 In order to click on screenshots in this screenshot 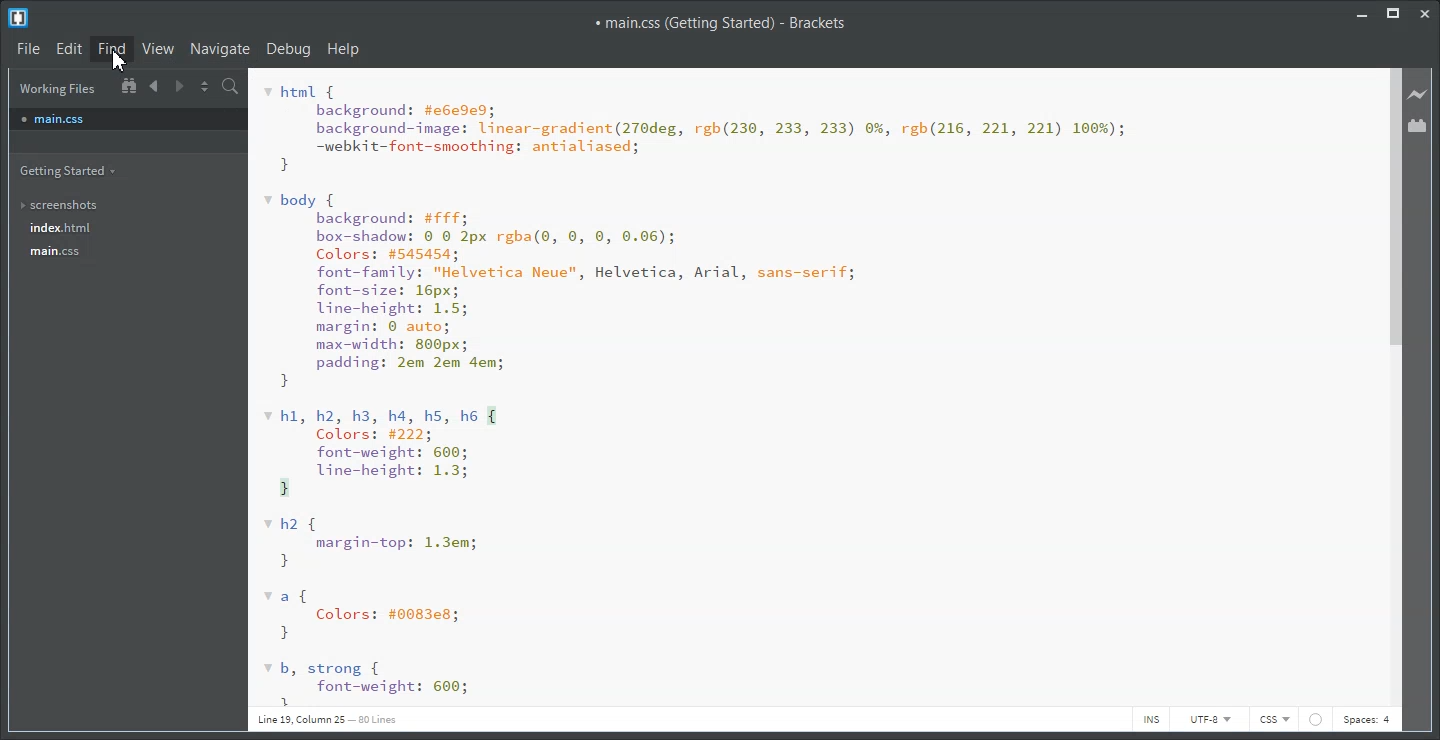, I will do `click(72, 206)`.